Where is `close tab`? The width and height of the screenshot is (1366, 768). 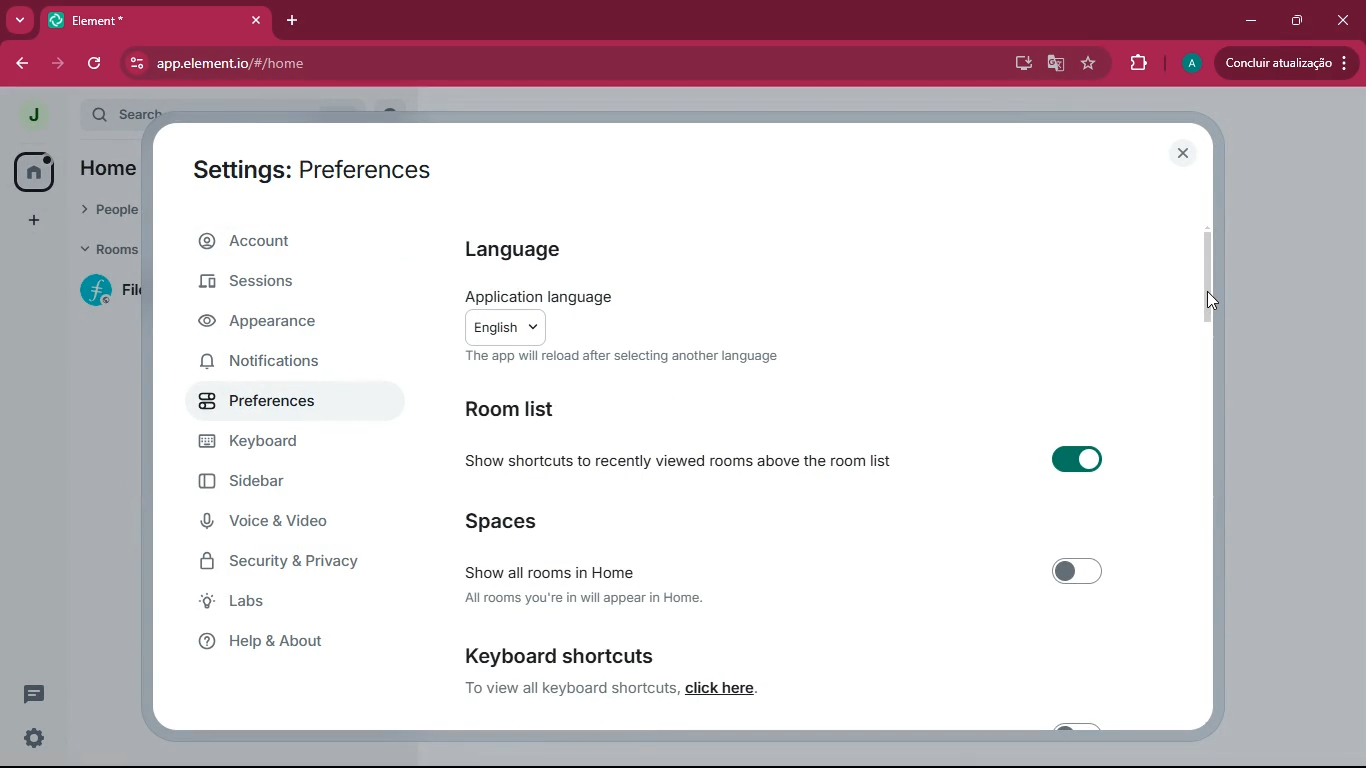 close tab is located at coordinates (257, 21).